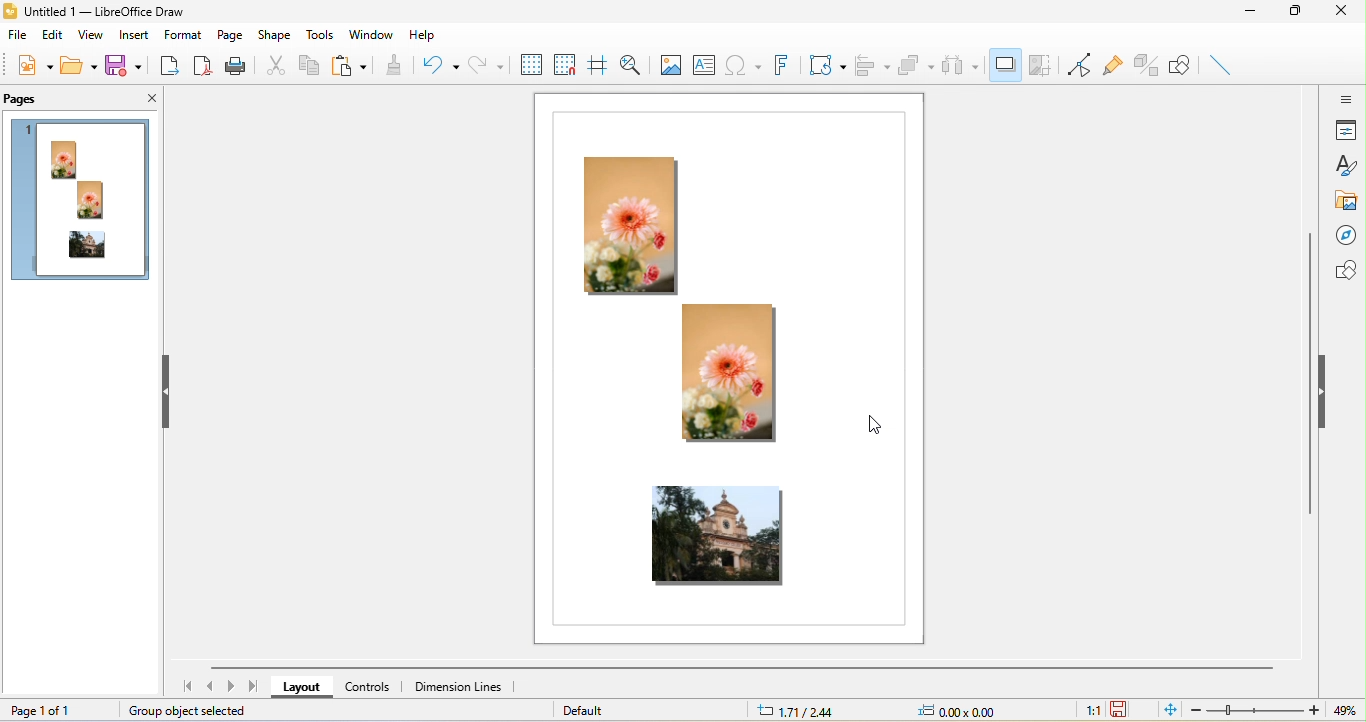 This screenshot has width=1366, height=722. I want to click on shadow, so click(1004, 67).